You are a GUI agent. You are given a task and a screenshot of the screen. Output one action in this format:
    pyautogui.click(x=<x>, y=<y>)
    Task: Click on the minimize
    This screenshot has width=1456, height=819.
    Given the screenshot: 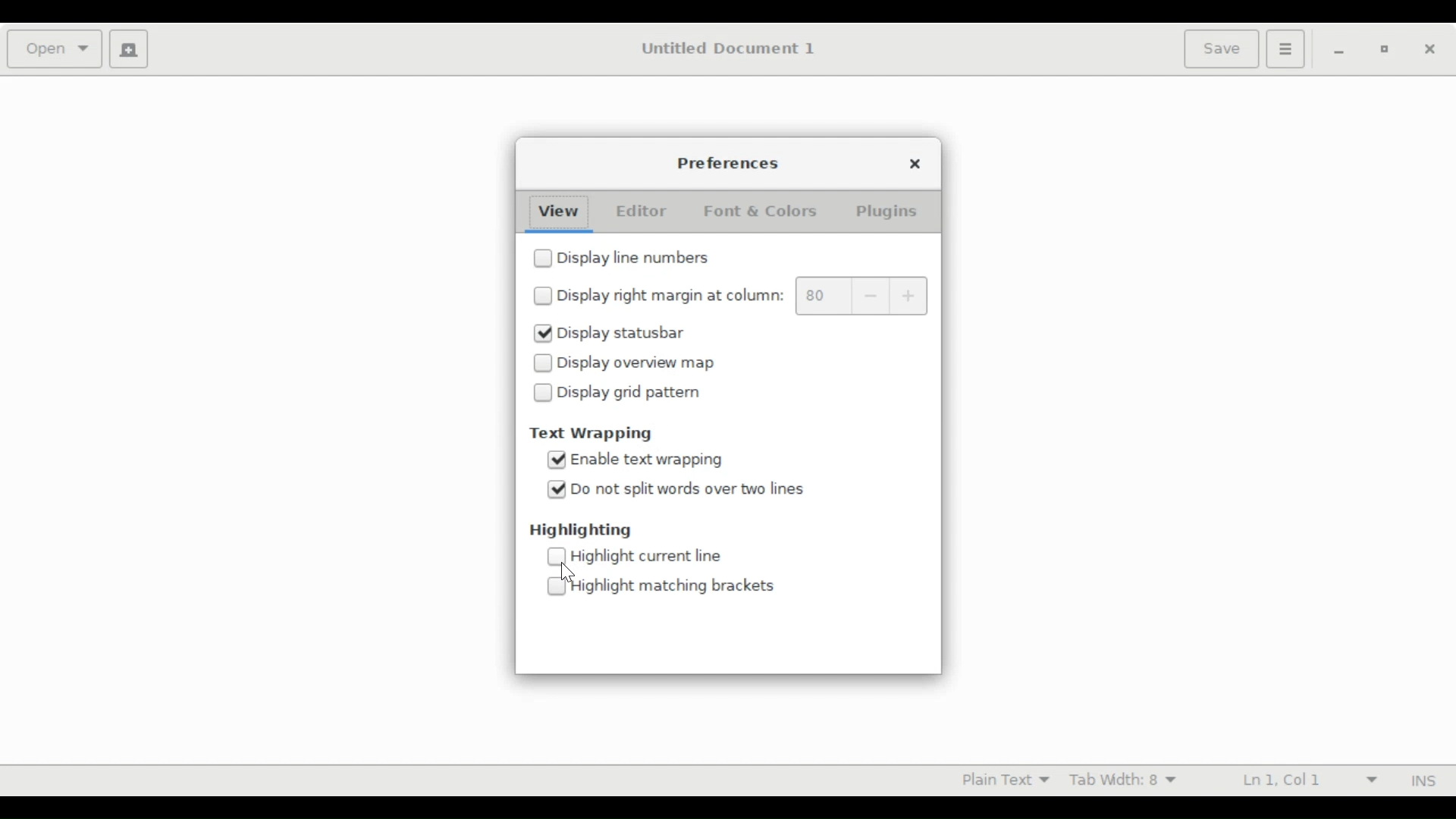 What is the action you would take?
    pyautogui.click(x=1338, y=52)
    